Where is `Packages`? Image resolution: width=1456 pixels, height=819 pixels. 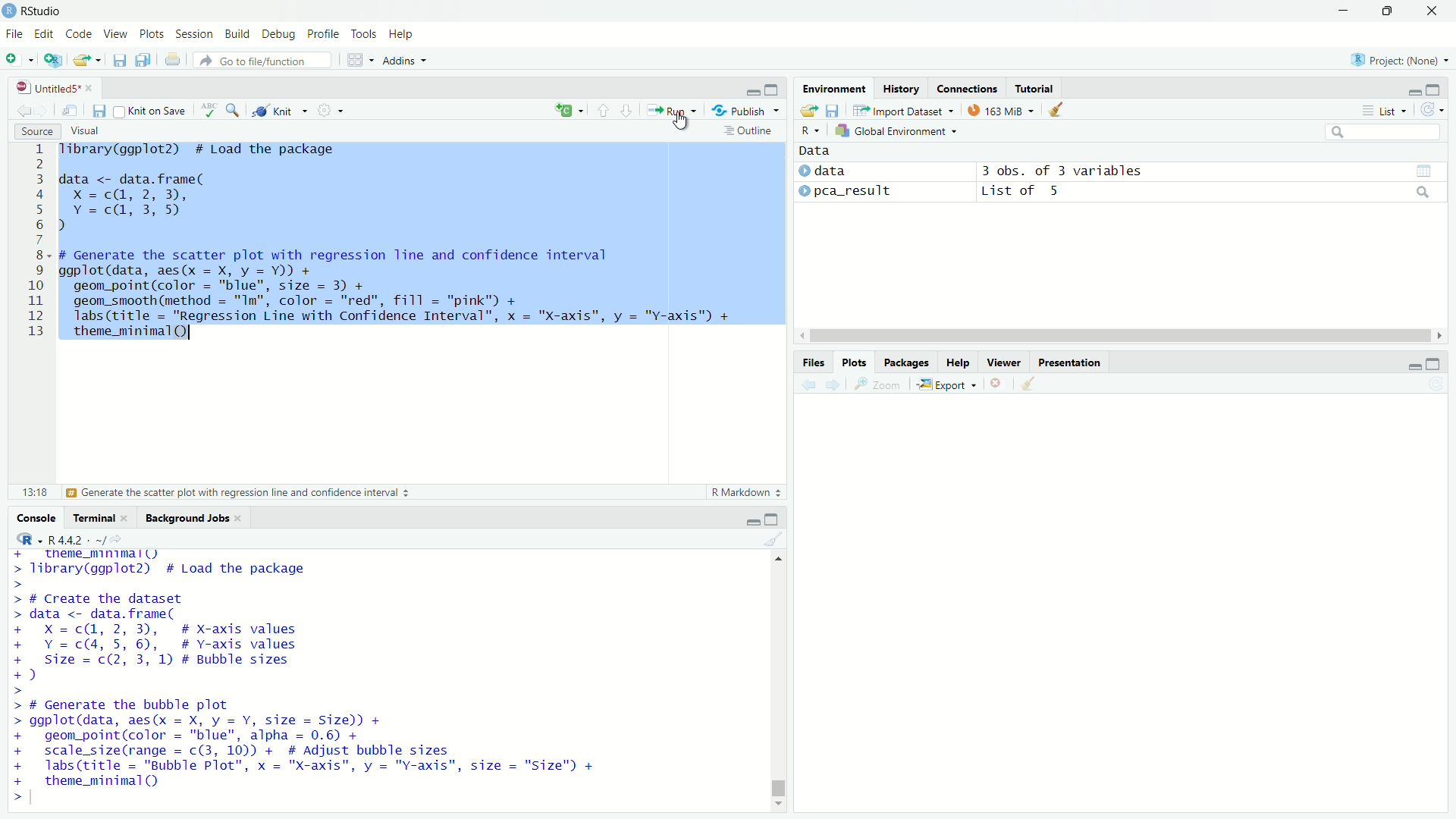
Packages is located at coordinates (905, 362).